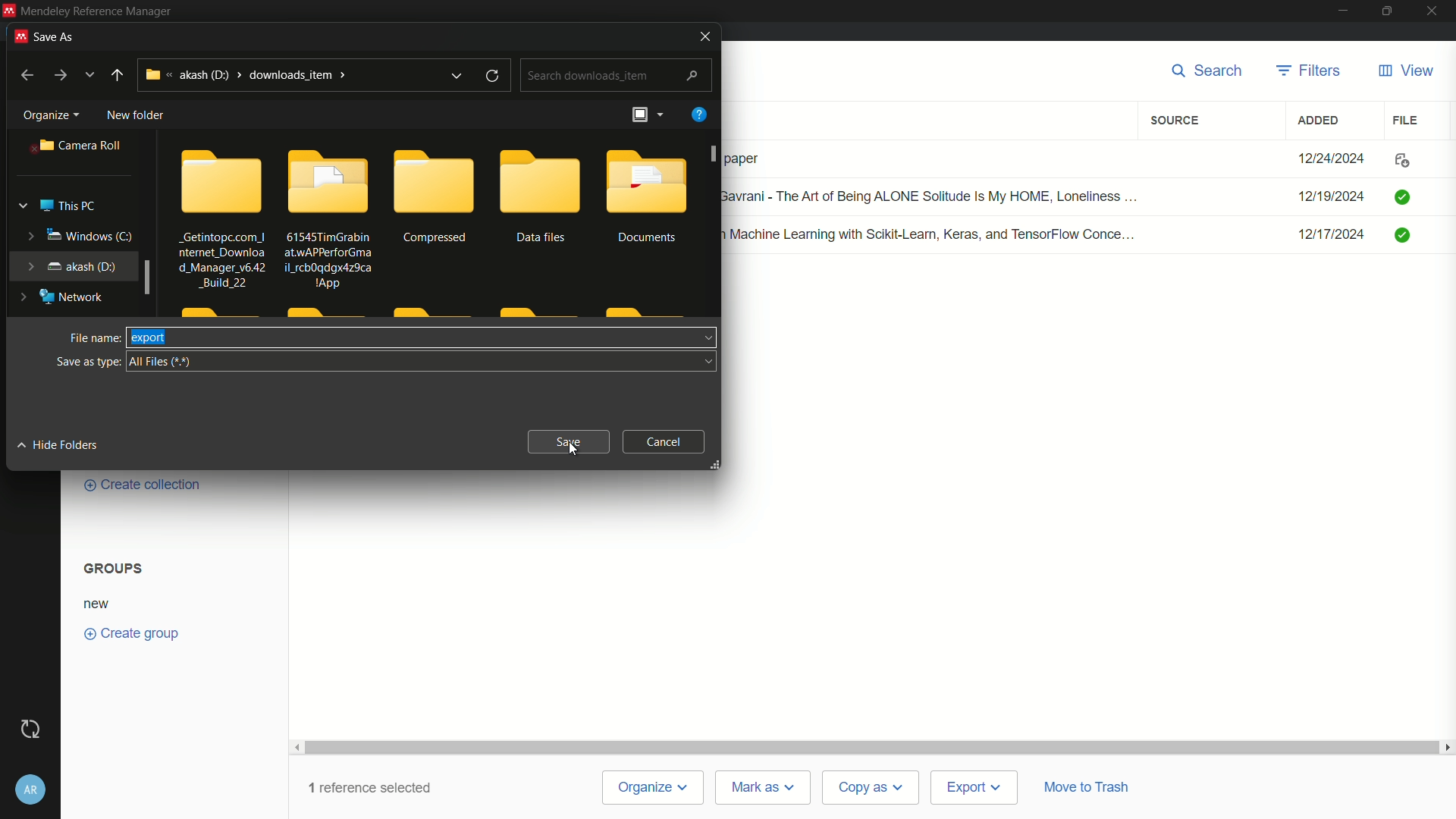 The width and height of the screenshot is (1456, 819). I want to click on dropdown, so click(711, 362).